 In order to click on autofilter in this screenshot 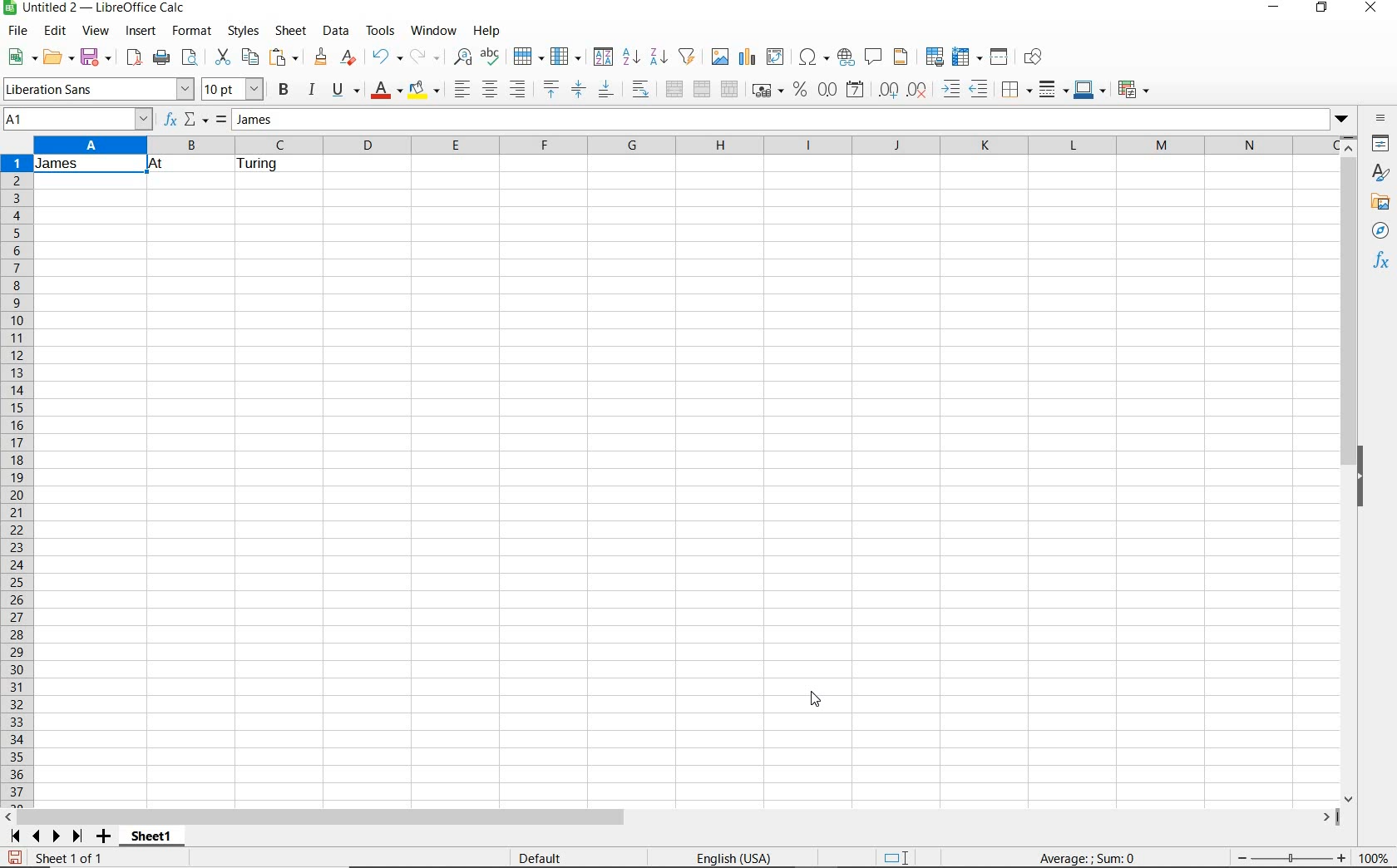, I will do `click(687, 57)`.